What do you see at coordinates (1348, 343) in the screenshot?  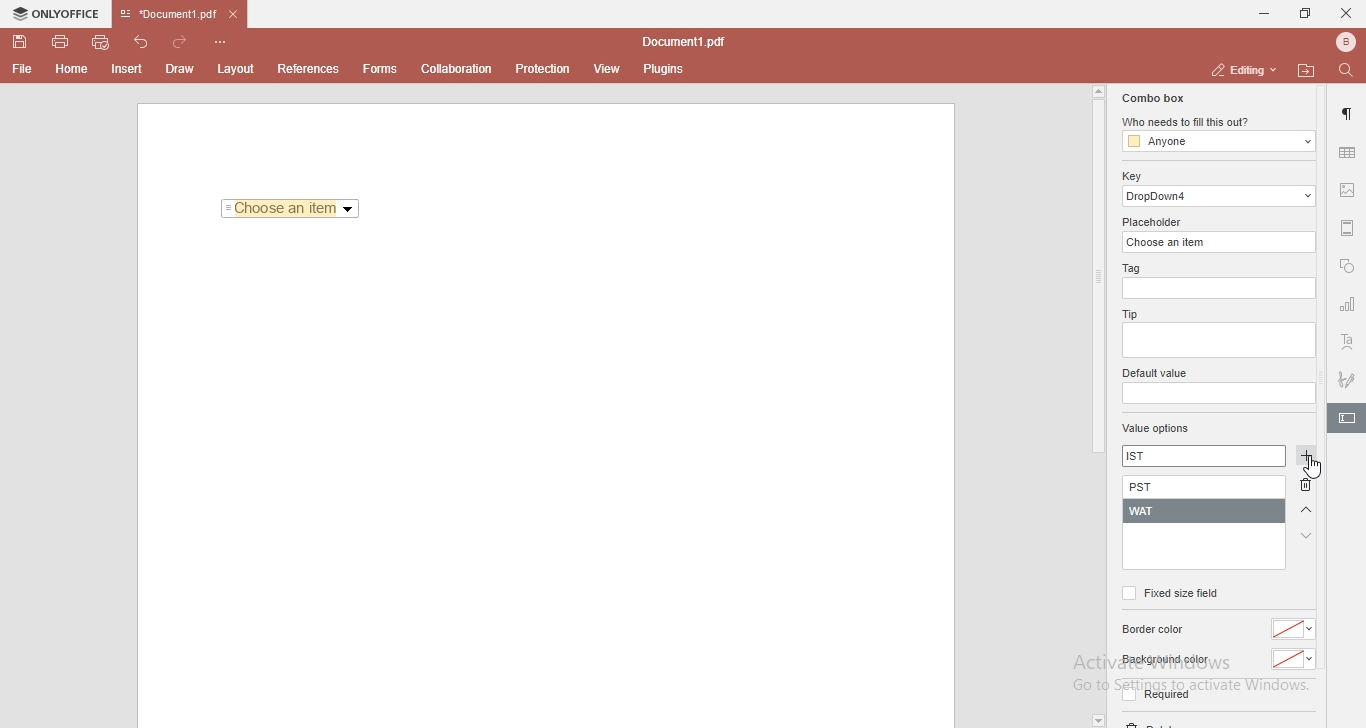 I see `text` at bounding box center [1348, 343].